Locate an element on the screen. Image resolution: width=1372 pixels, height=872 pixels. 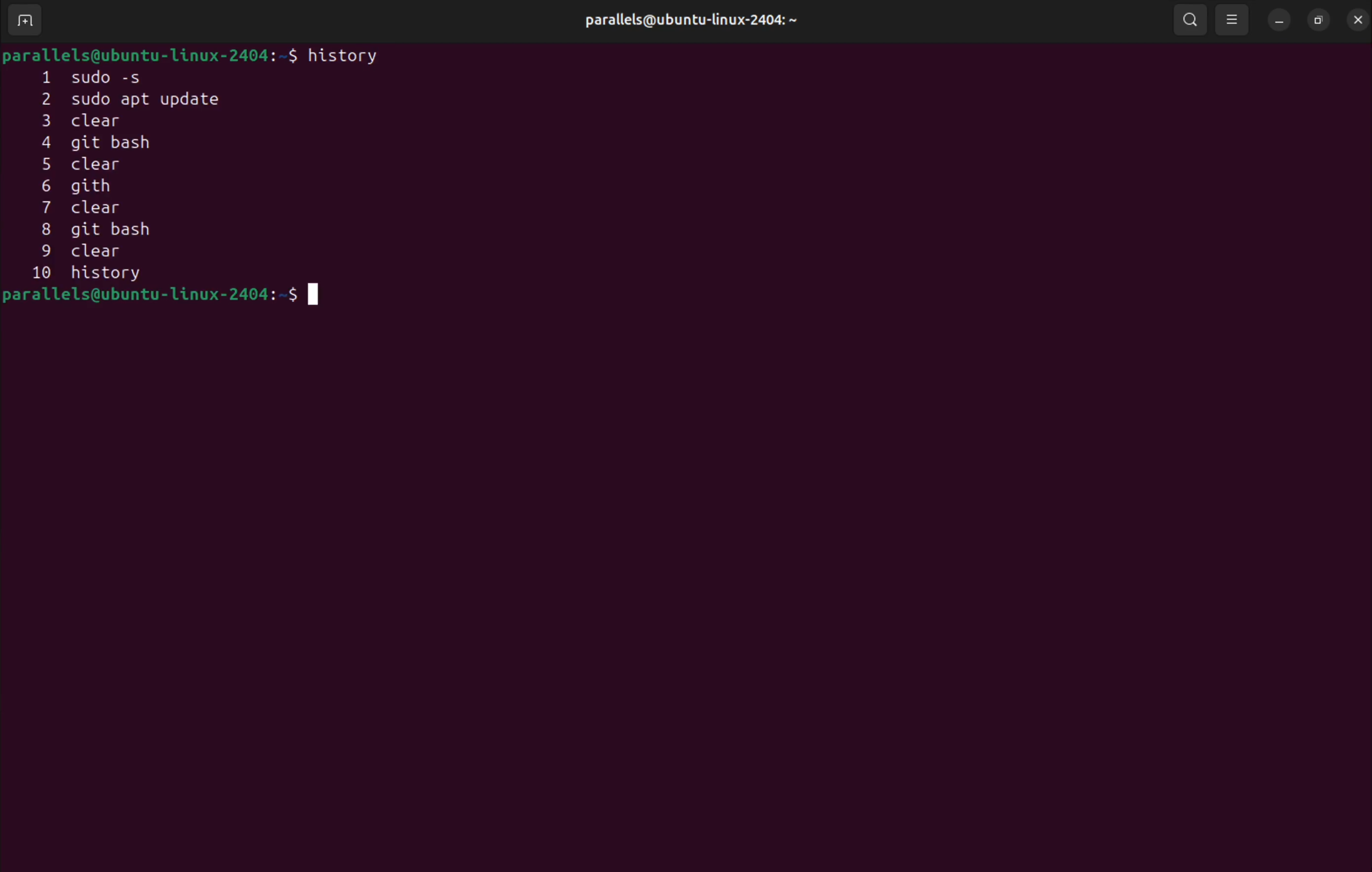
minimize is located at coordinates (1279, 20).